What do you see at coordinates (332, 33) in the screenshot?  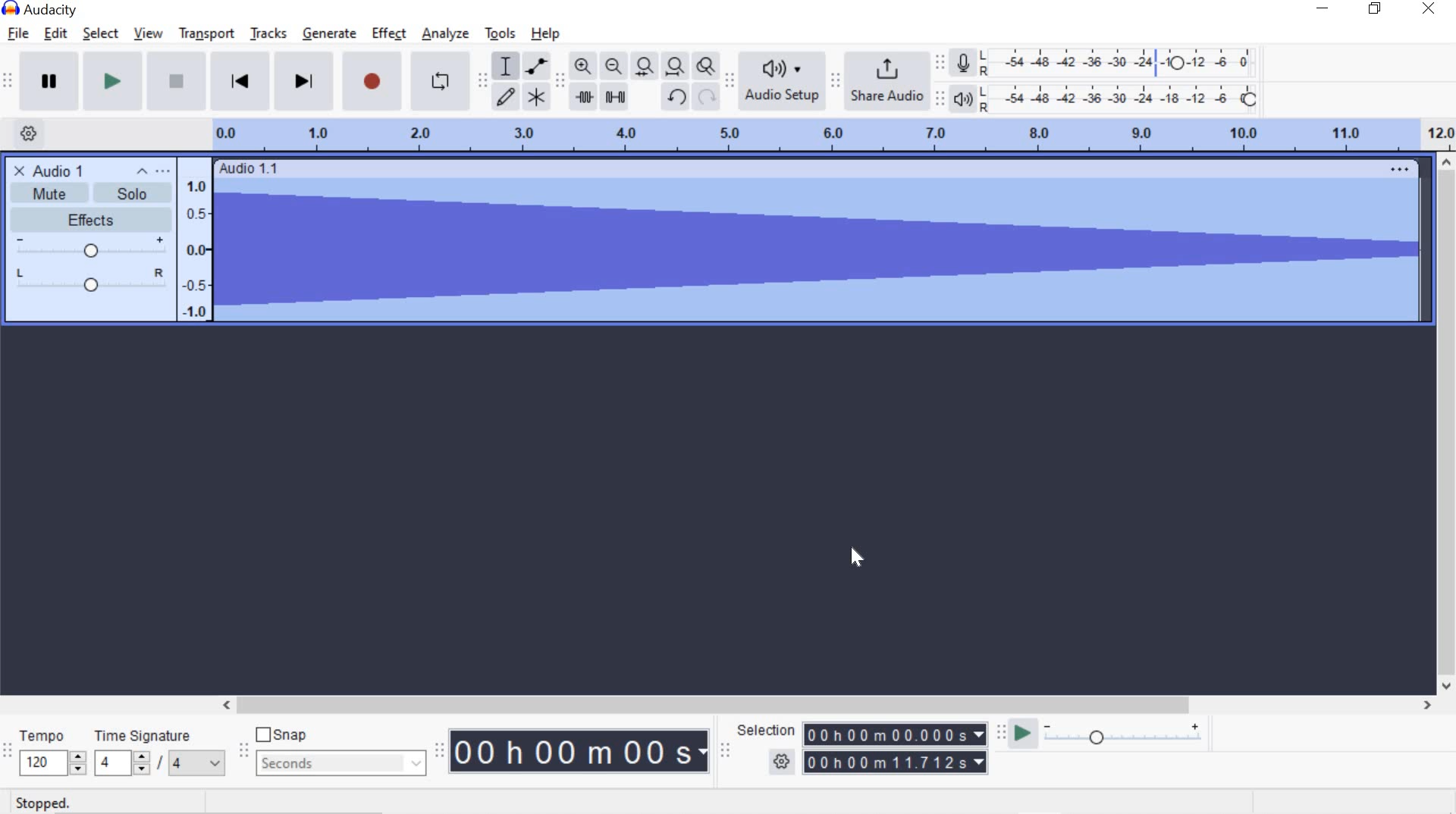 I see `generate` at bounding box center [332, 33].